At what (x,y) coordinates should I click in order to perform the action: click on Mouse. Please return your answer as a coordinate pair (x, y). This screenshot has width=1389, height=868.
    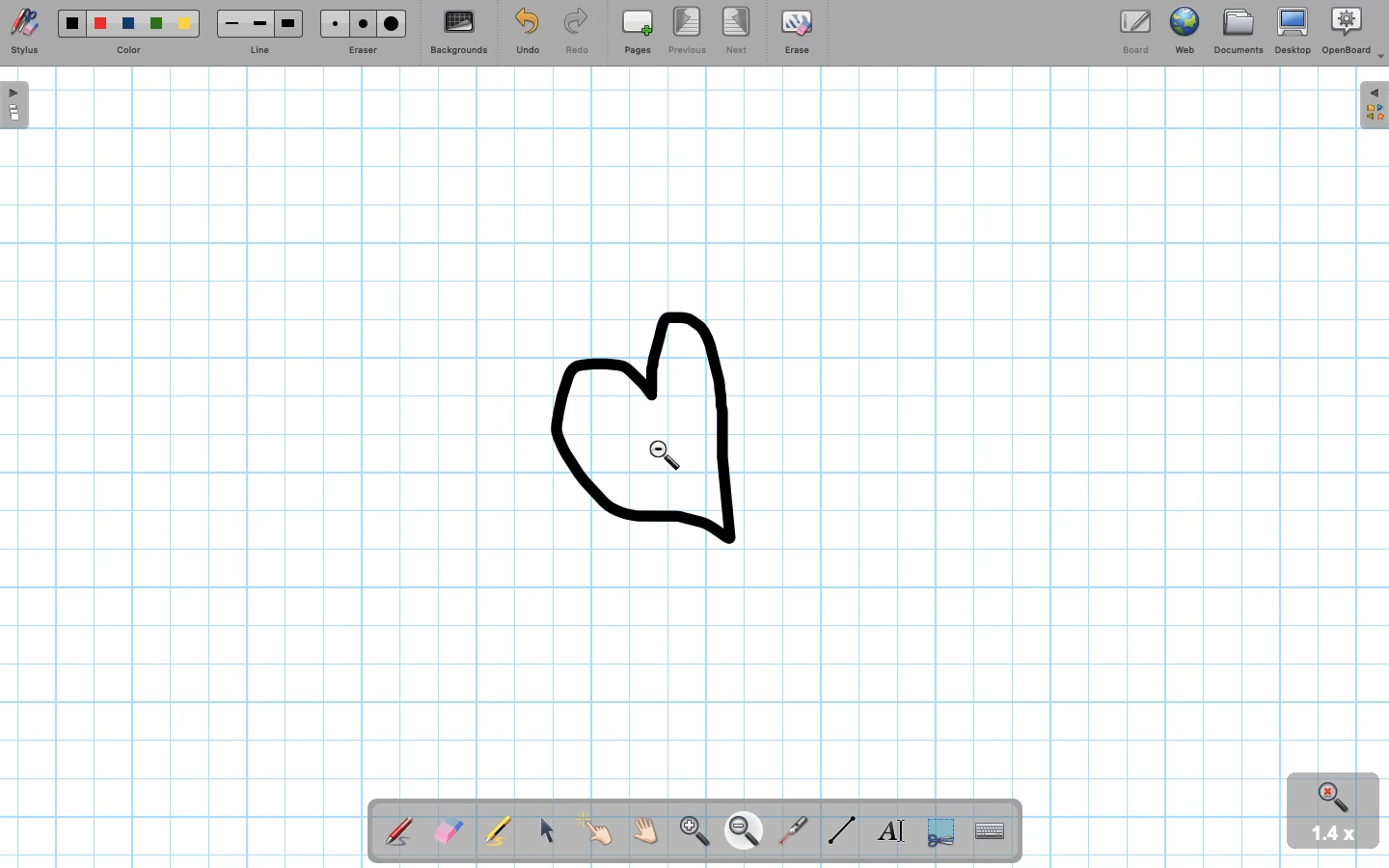
    Looking at the image, I should click on (547, 833).